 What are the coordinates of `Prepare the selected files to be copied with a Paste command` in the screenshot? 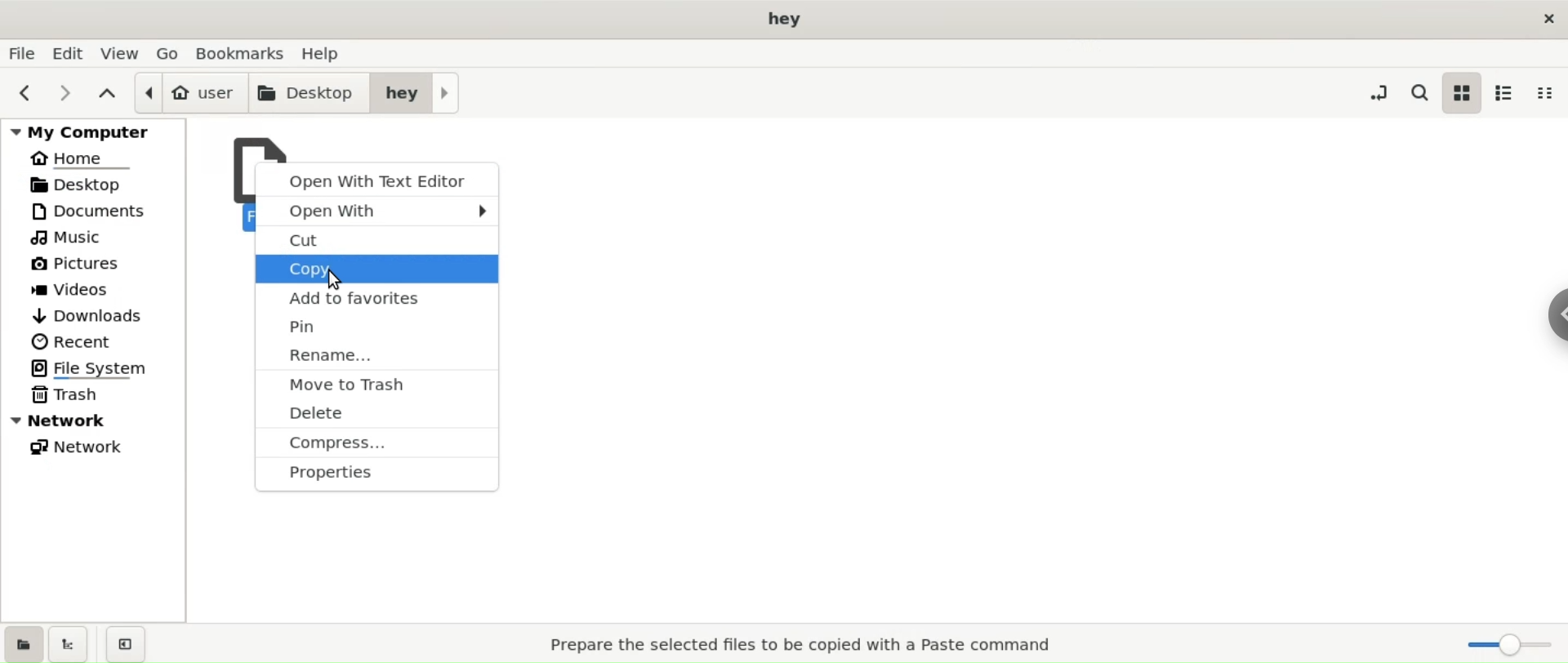 It's located at (808, 643).